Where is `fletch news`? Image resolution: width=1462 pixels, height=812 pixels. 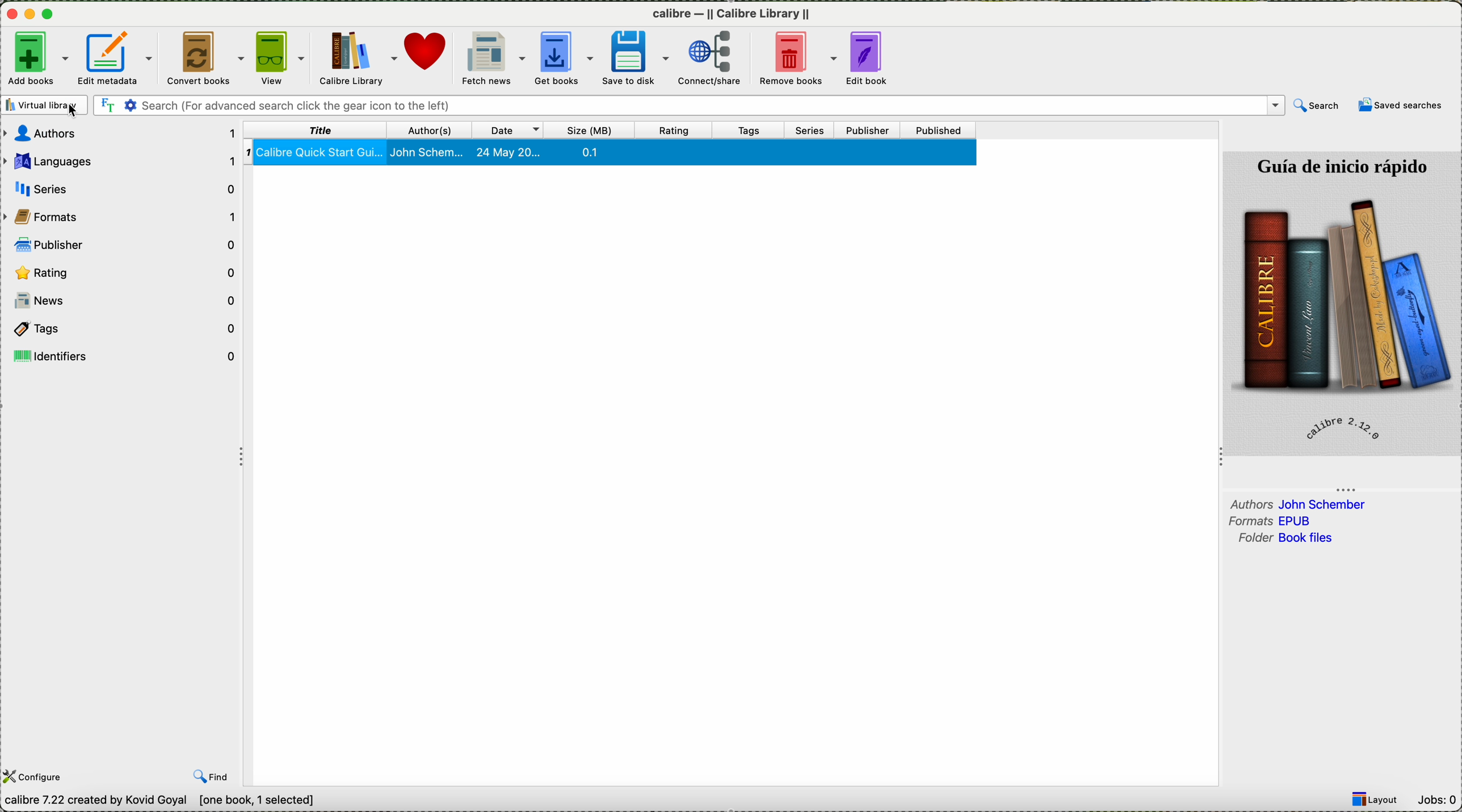 fletch news is located at coordinates (490, 58).